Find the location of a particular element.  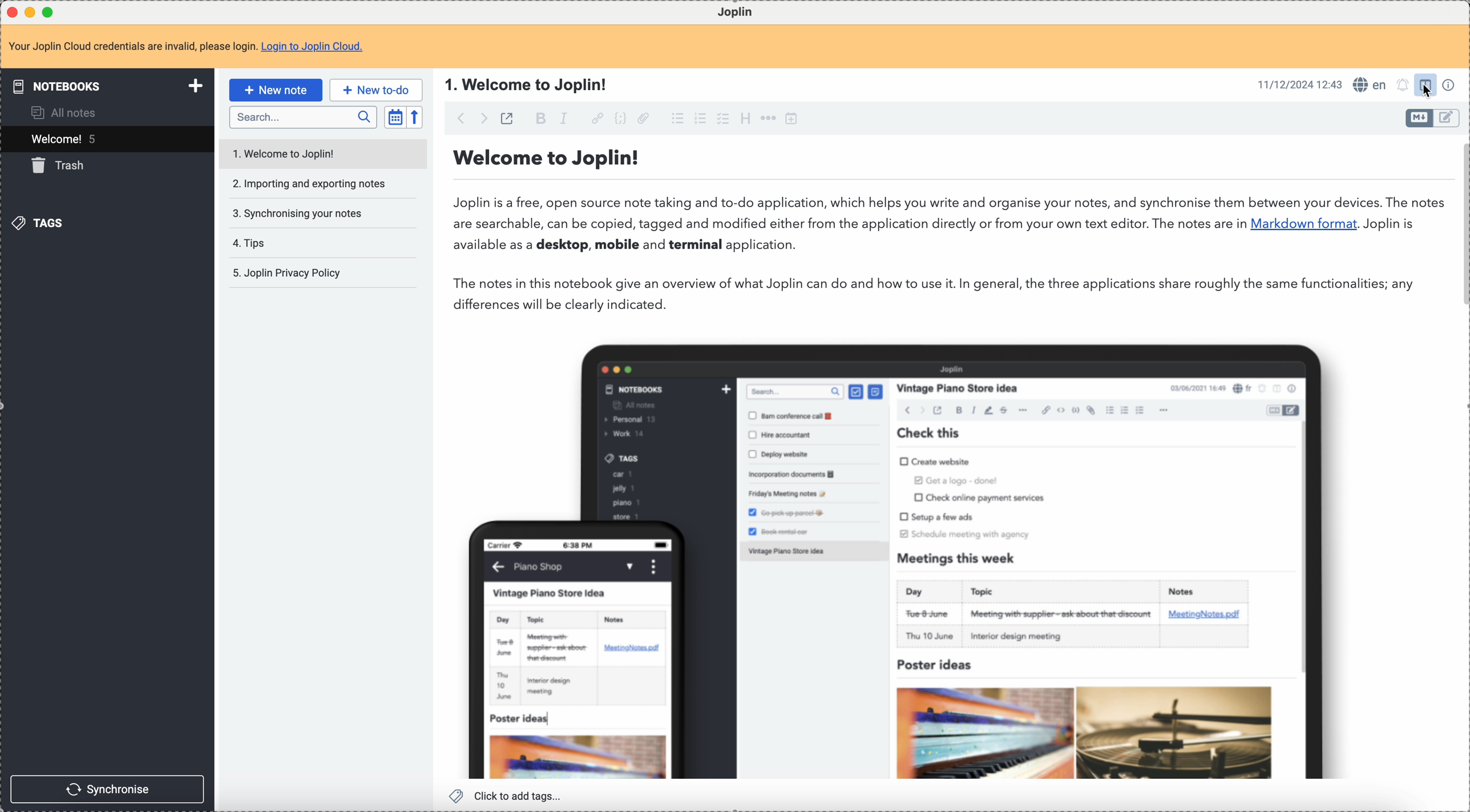

numbered list is located at coordinates (702, 118).